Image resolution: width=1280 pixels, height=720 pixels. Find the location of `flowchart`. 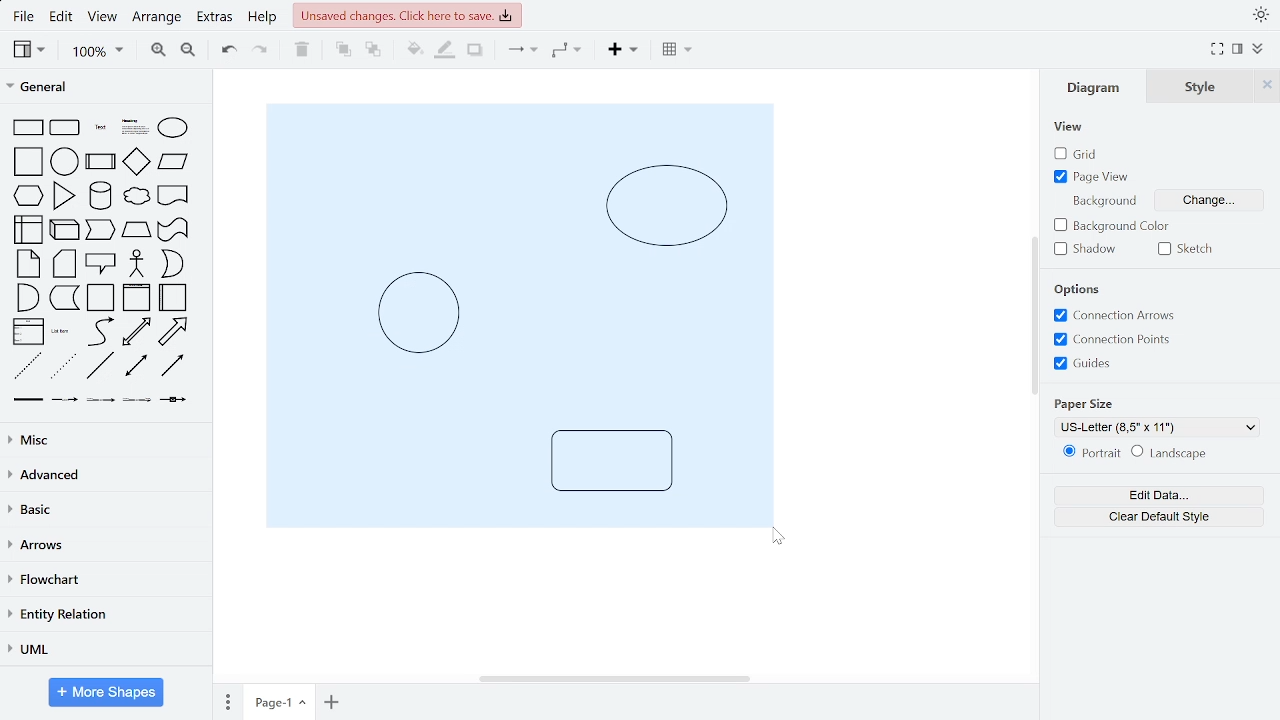

flowchart is located at coordinates (101, 581).